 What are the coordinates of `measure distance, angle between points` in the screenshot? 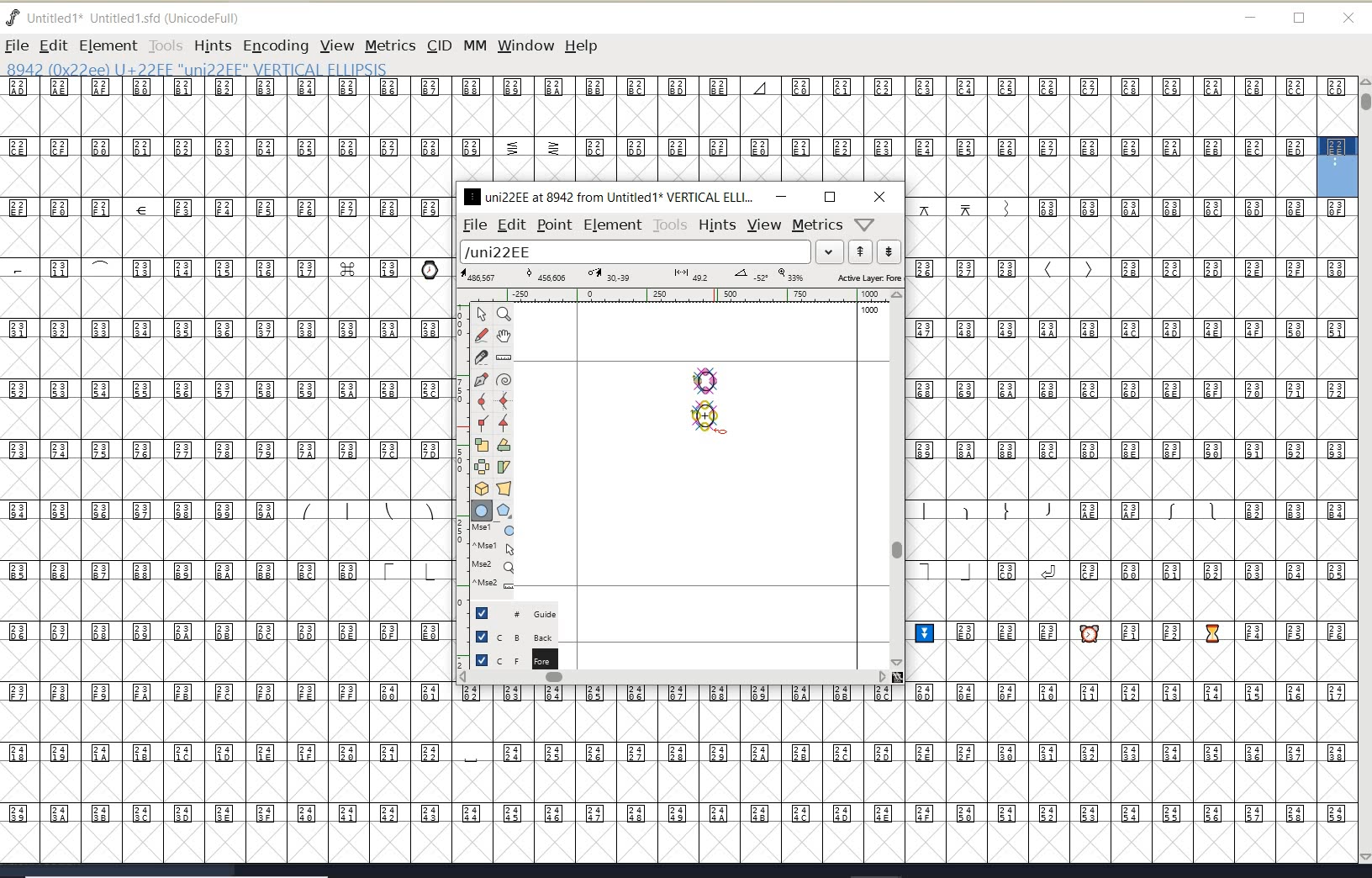 It's located at (504, 357).